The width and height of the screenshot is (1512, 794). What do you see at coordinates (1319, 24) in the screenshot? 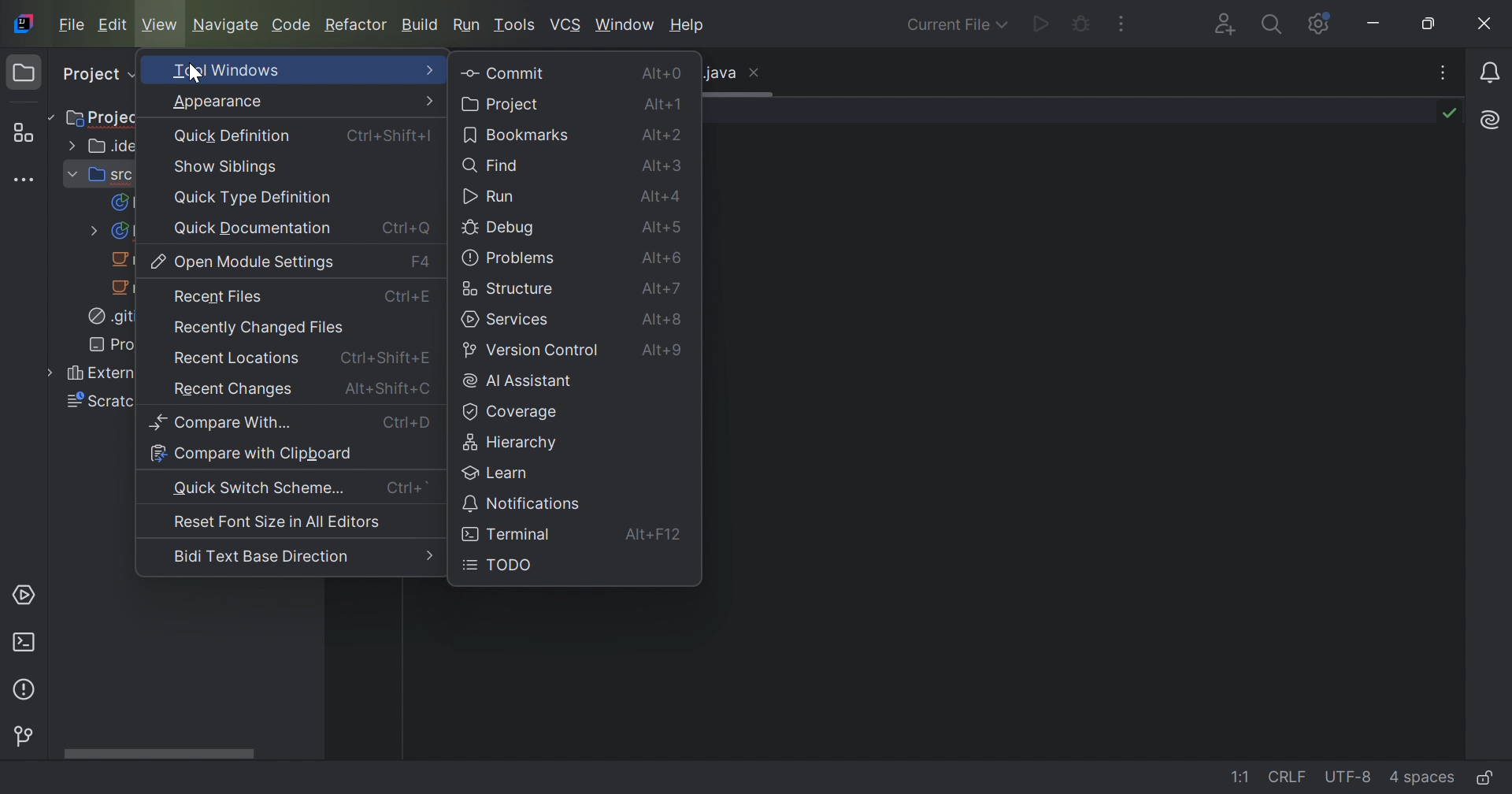
I see `Updates available. IDE and Project settings.` at bounding box center [1319, 24].